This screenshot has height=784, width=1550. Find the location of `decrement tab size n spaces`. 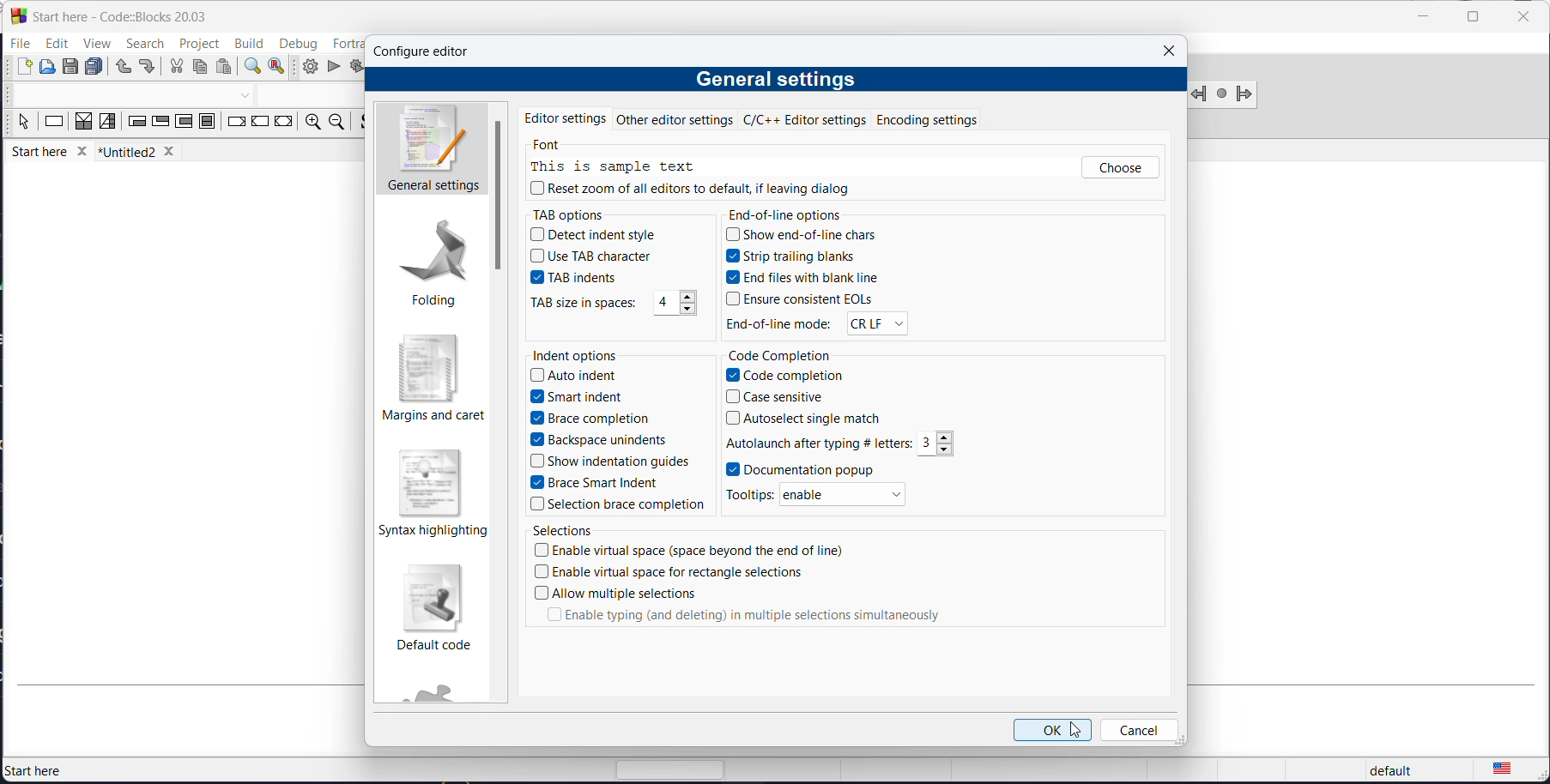

decrement tab size n spaces is located at coordinates (690, 311).